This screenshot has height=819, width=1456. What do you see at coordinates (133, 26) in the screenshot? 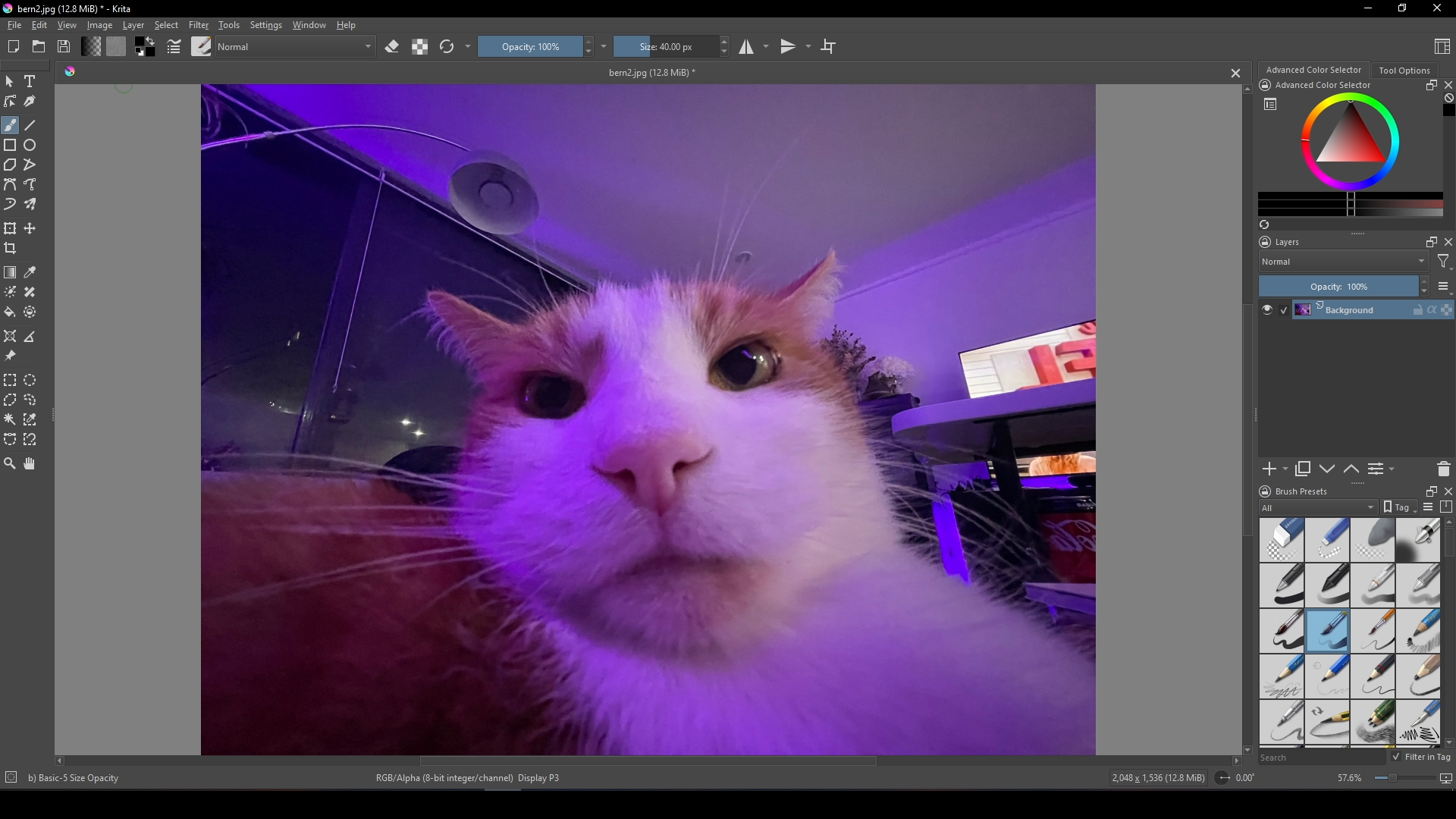
I see `Layer` at bounding box center [133, 26].